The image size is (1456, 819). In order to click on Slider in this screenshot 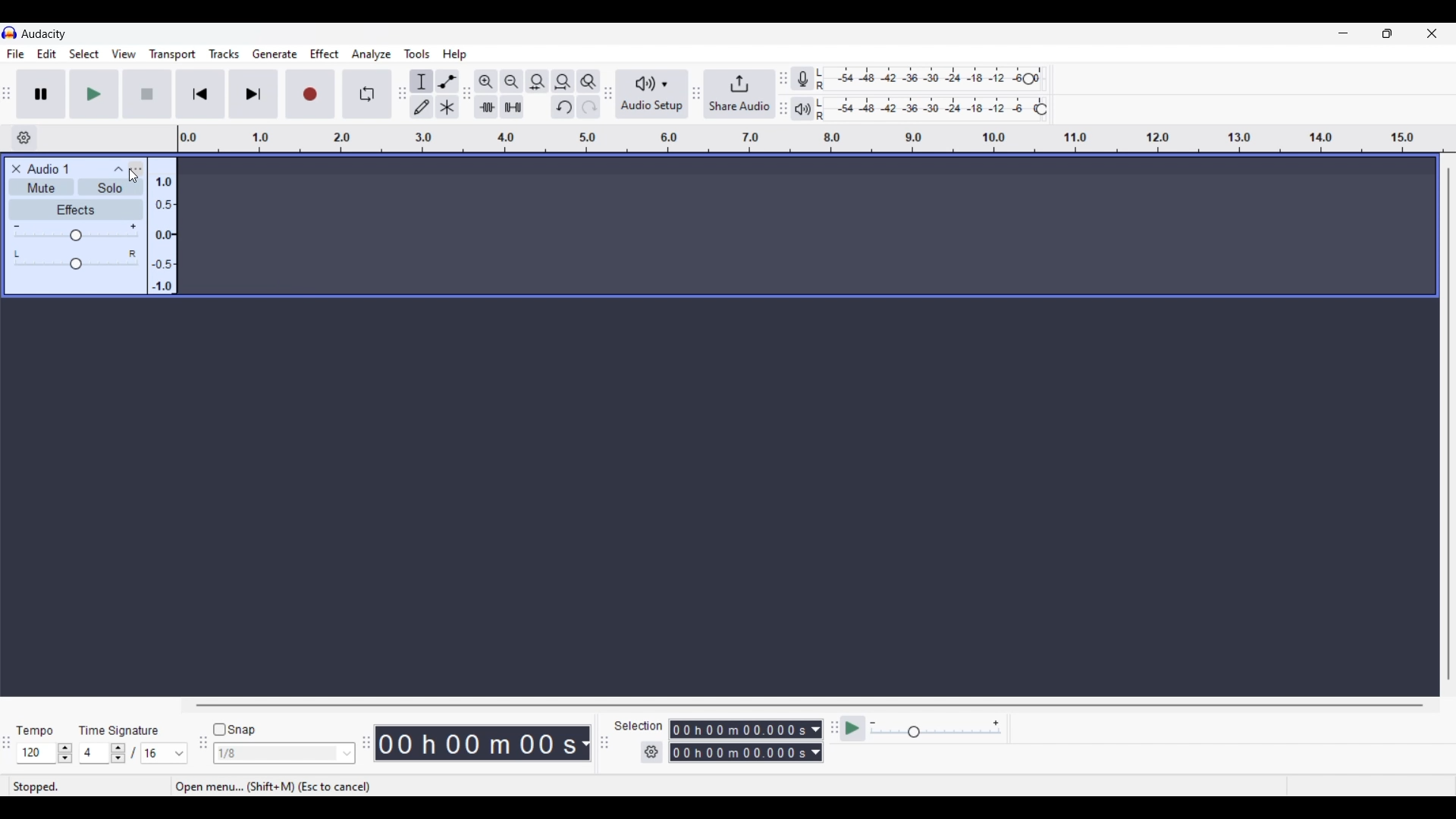, I will do `click(75, 237)`.